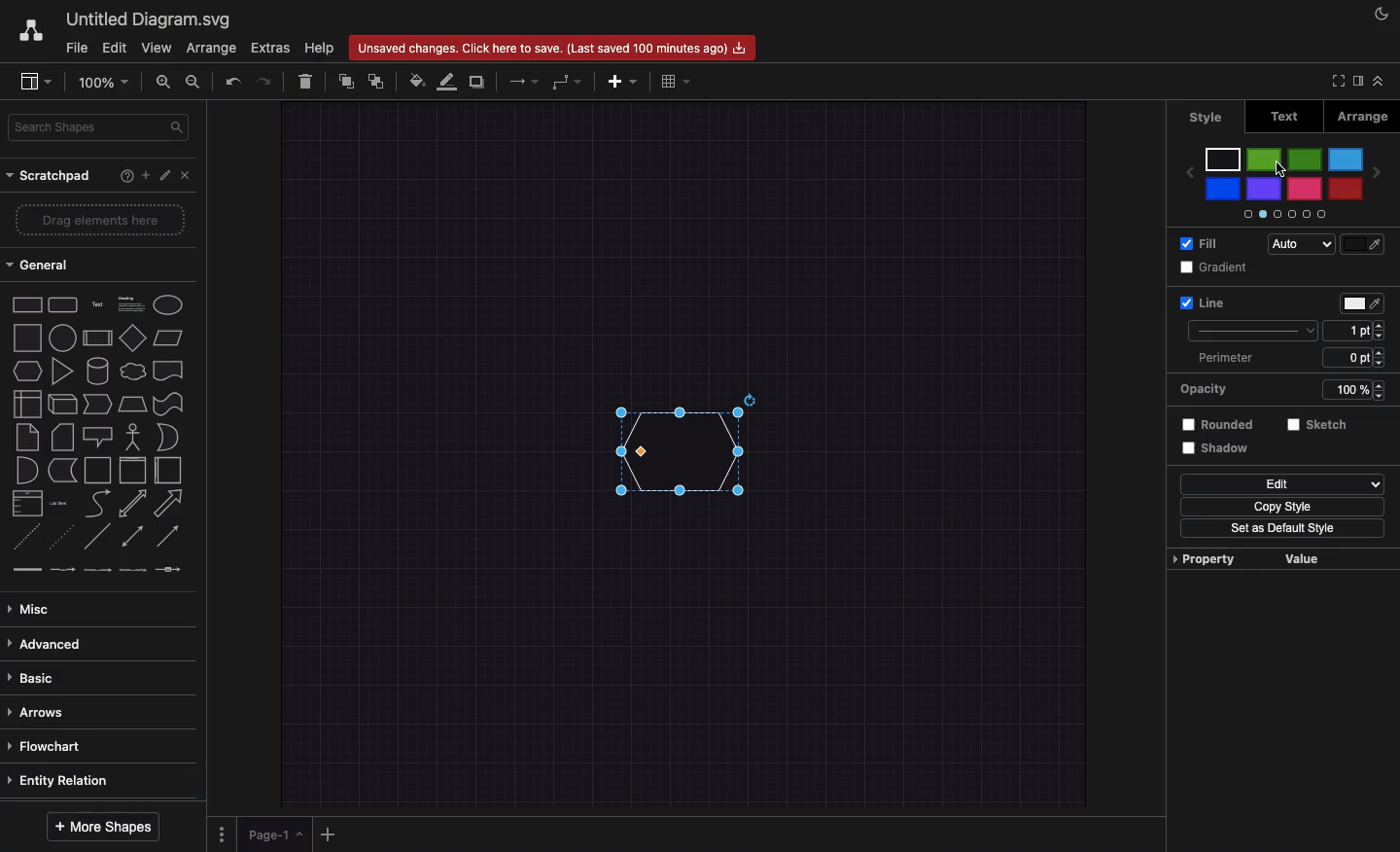 The width and height of the screenshot is (1400, 852). What do you see at coordinates (1211, 118) in the screenshot?
I see `Style` at bounding box center [1211, 118].